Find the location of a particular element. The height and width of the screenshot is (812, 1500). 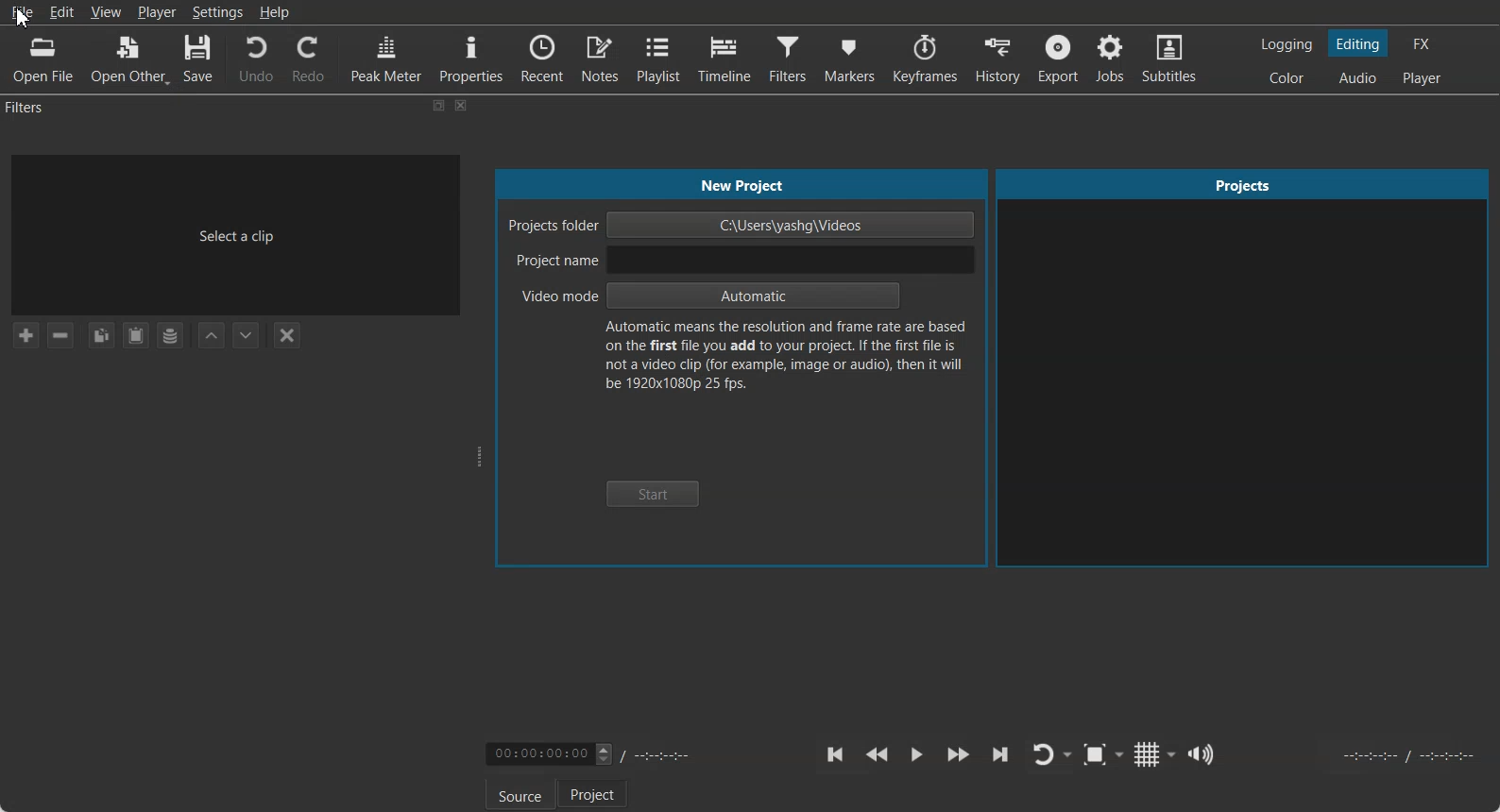

Switching to the logging layout is located at coordinates (1287, 44).